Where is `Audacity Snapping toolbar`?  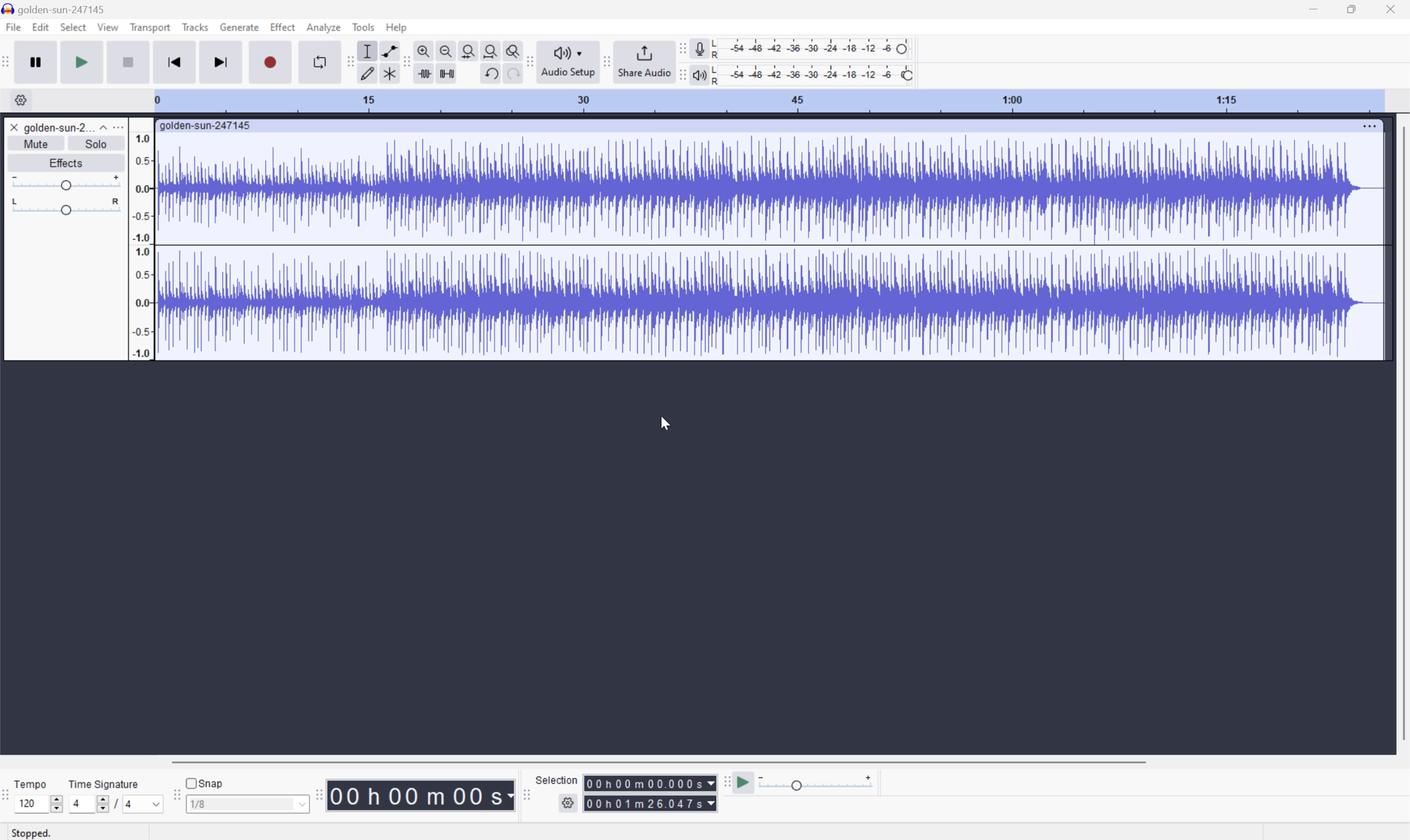
Audacity Snapping toolbar is located at coordinates (176, 796).